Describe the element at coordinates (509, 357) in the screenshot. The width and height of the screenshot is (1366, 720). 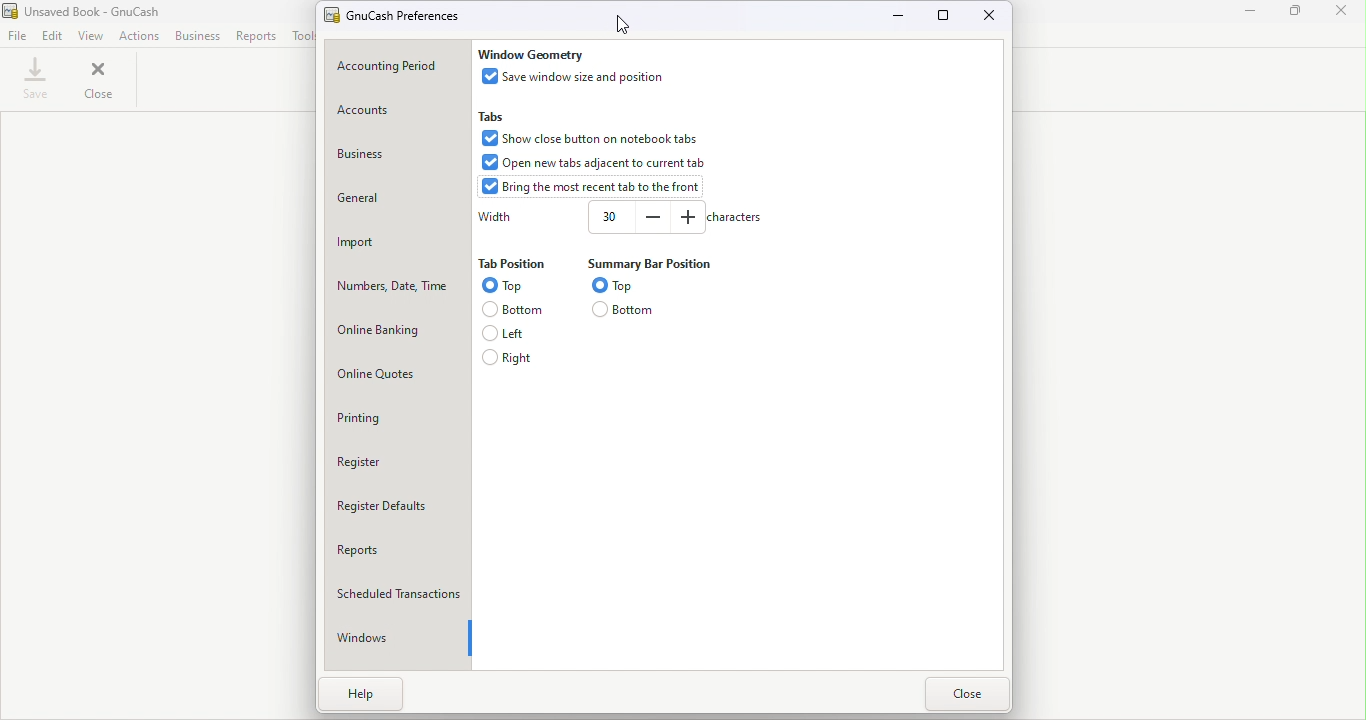
I see `Right ` at that location.